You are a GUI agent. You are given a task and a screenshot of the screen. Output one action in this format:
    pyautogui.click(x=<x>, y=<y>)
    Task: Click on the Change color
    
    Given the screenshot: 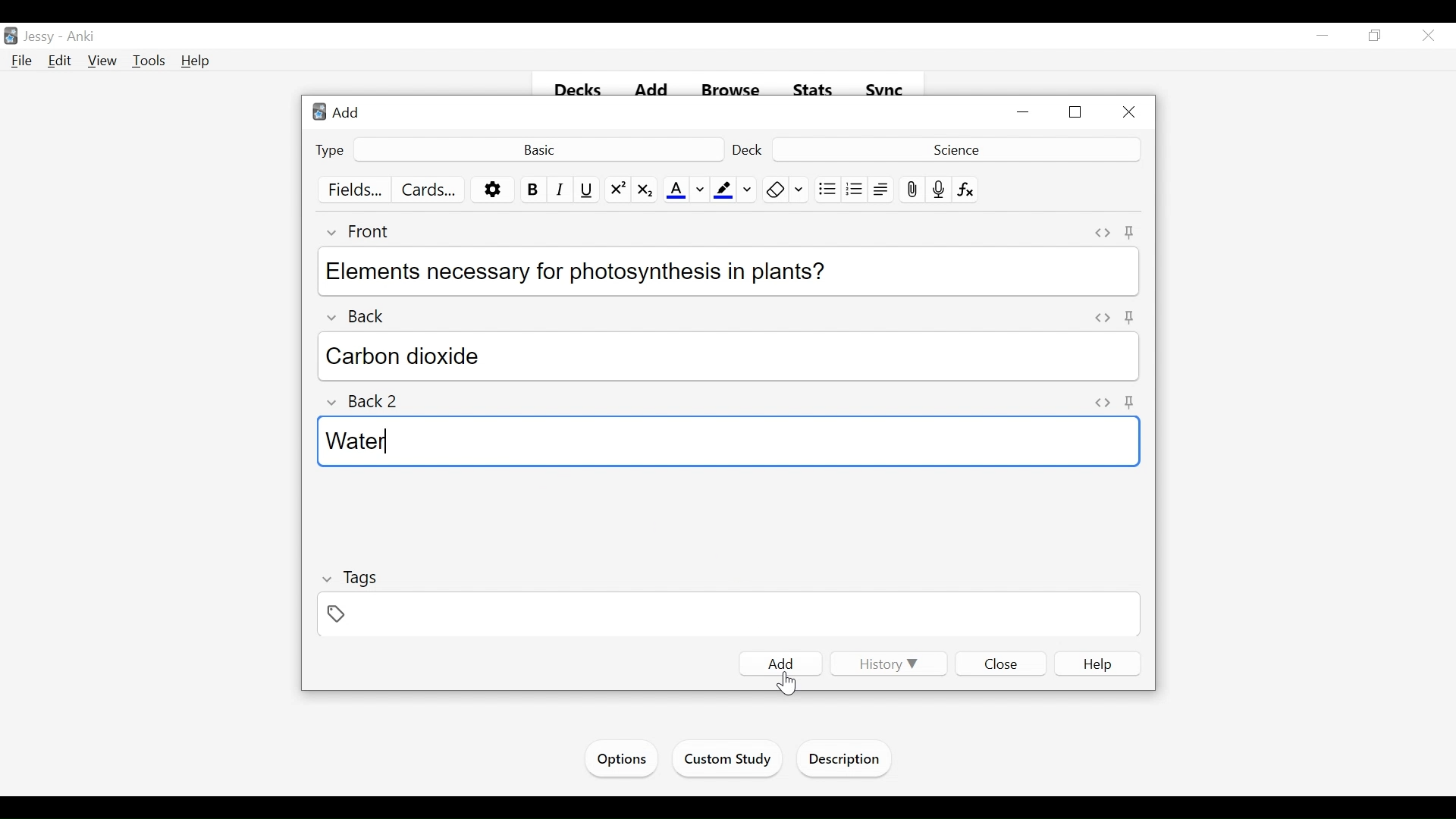 What is the action you would take?
    pyautogui.click(x=800, y=190)
    